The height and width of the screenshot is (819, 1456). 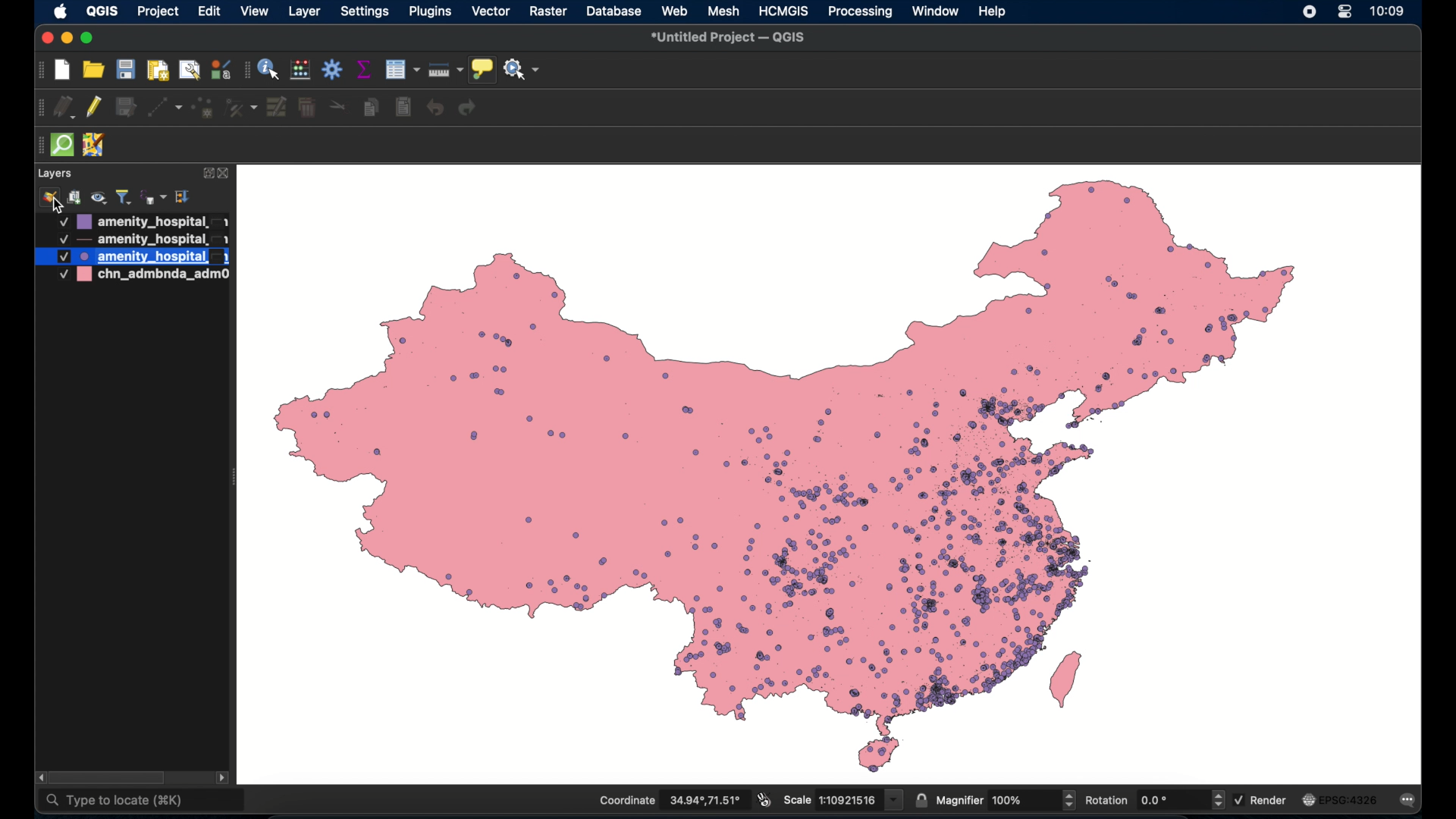 What do you see at coordinates (548, 11) in the screenshot?
I see `raster` at bounding box center [548, 11].